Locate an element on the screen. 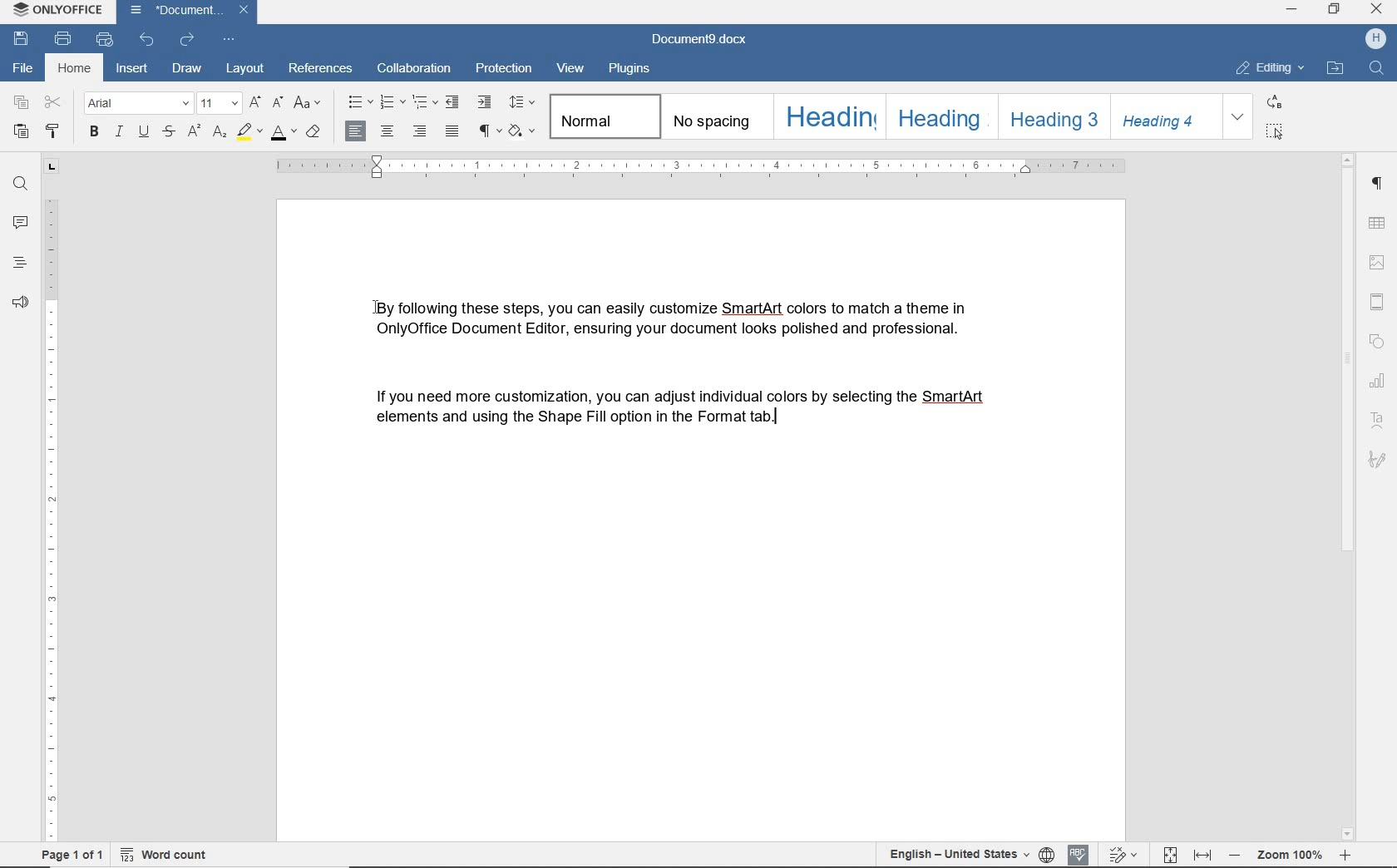  document name is located at coordinates (700, 36).